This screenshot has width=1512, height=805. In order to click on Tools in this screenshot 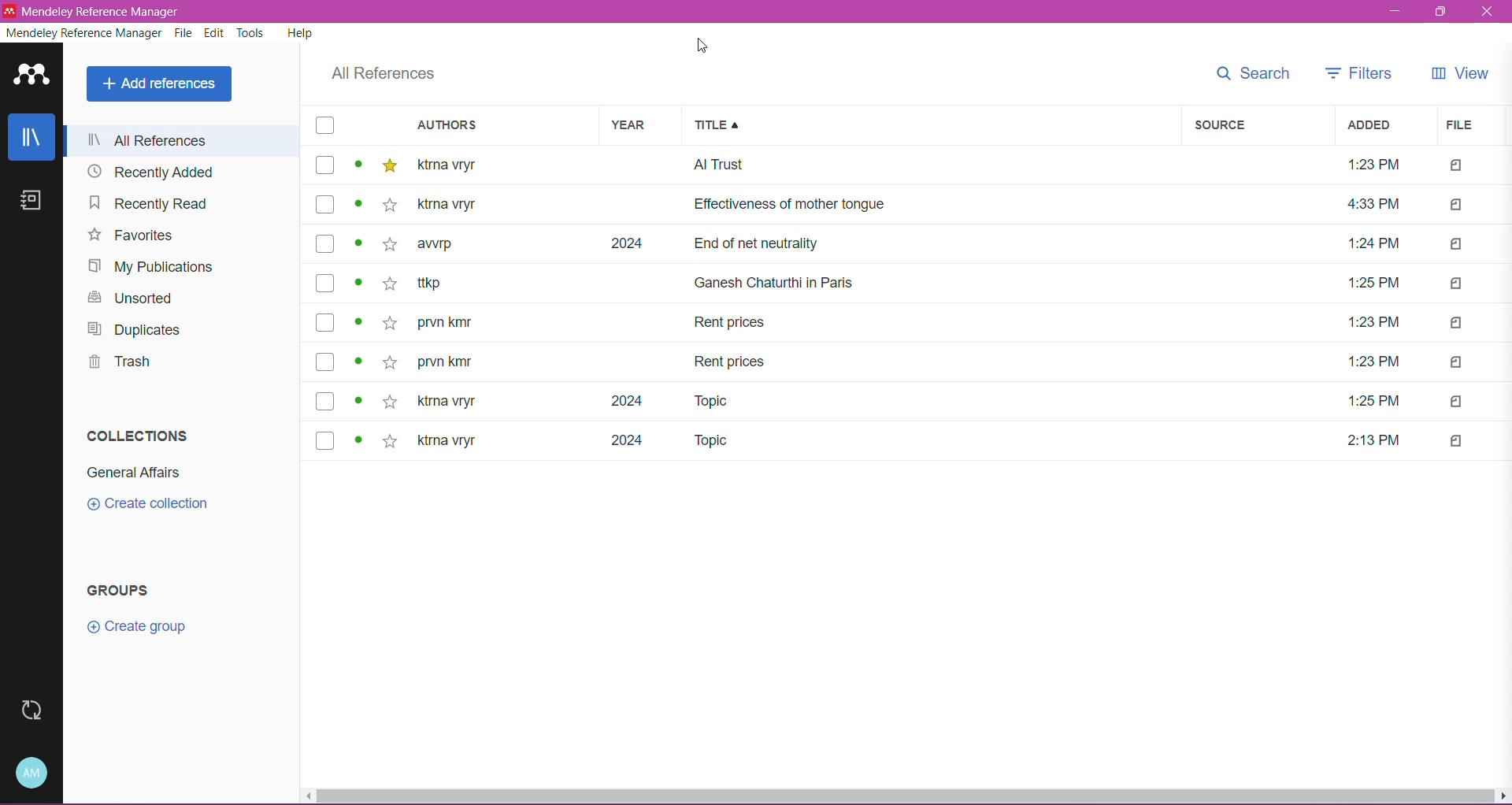, I will do `click(251, 34)`.